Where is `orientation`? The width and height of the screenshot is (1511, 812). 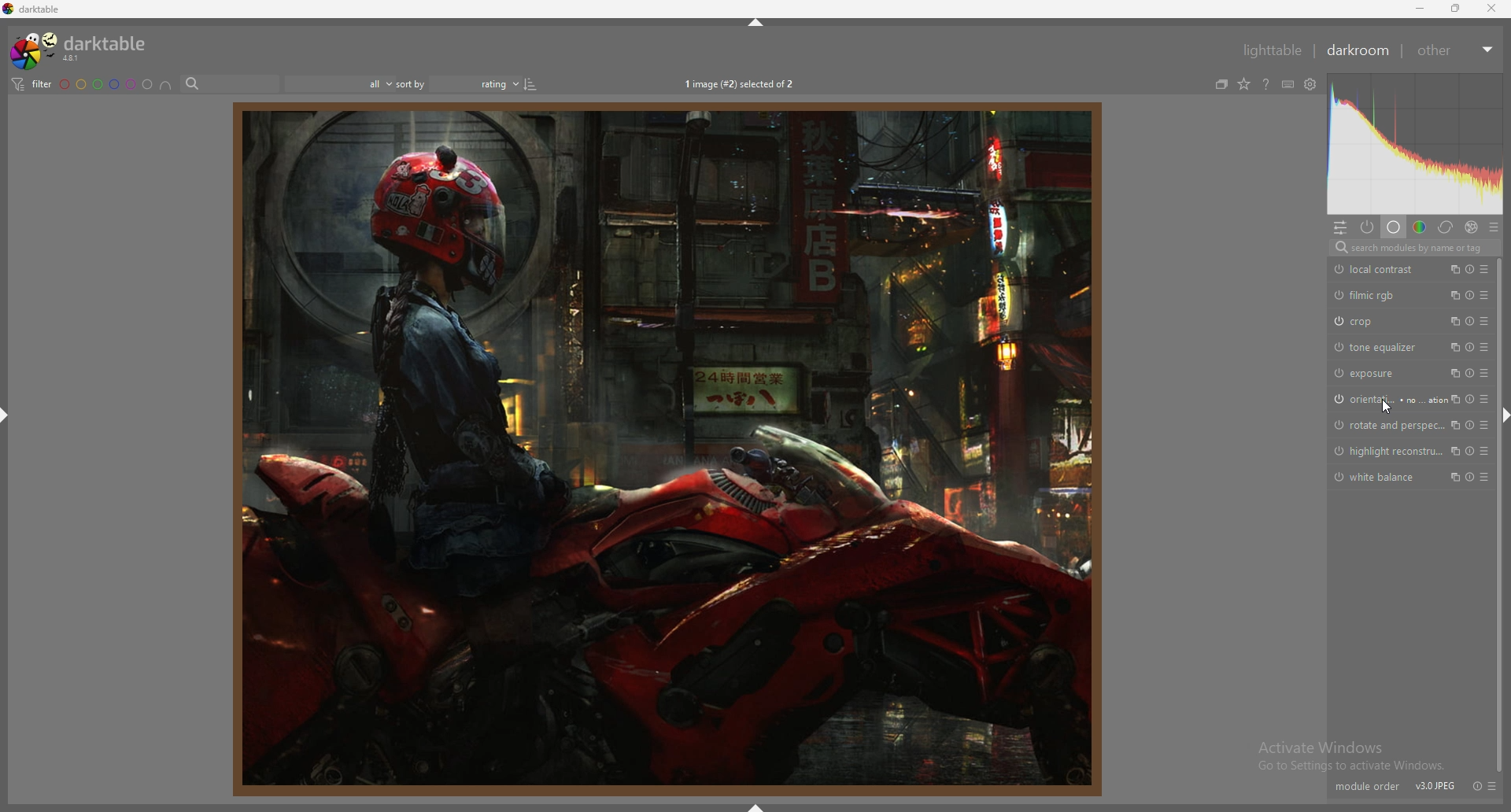
orientation is located at coordinates (1384, 398).